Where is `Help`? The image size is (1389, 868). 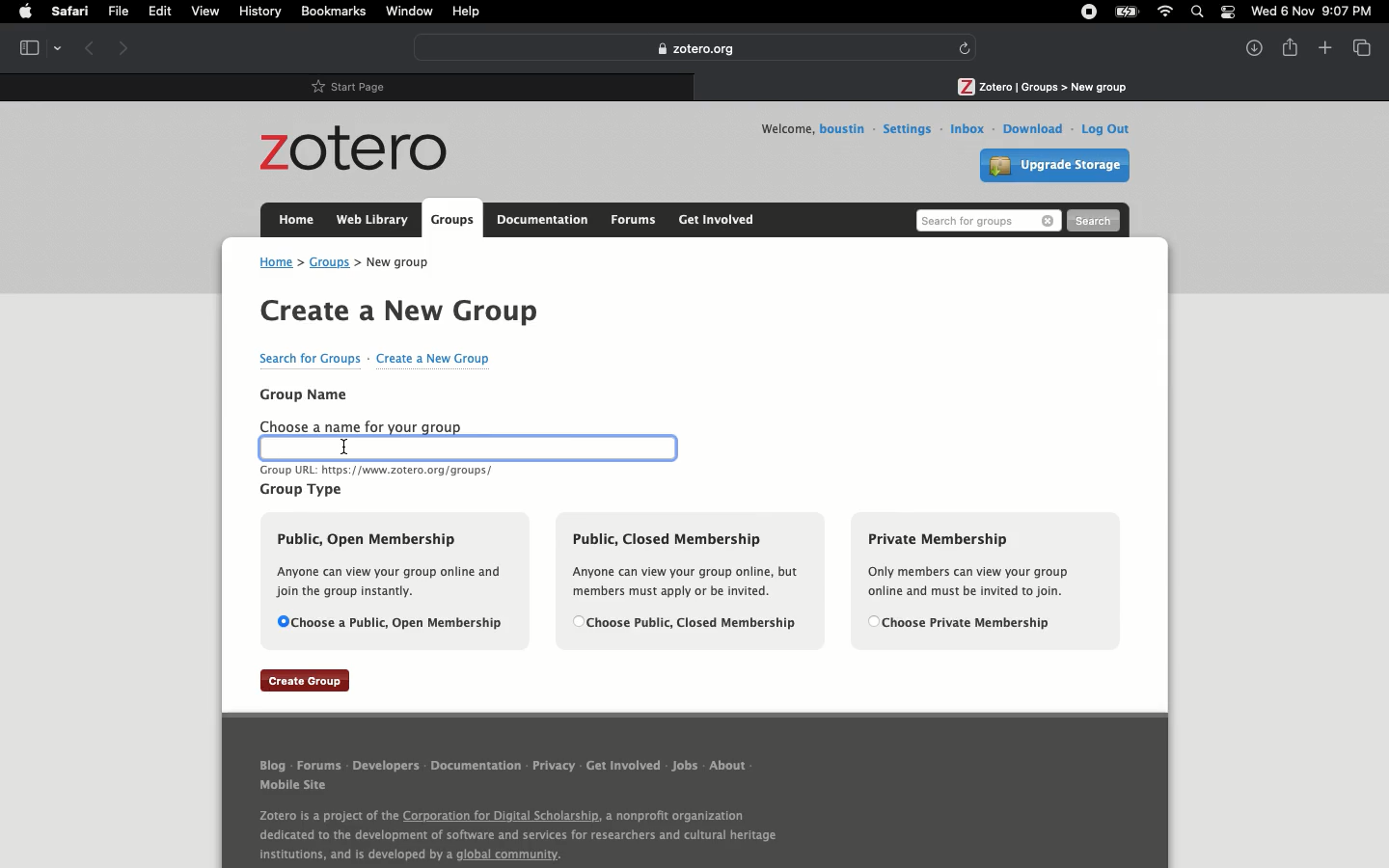 Help is located at coordinates (467, 12).